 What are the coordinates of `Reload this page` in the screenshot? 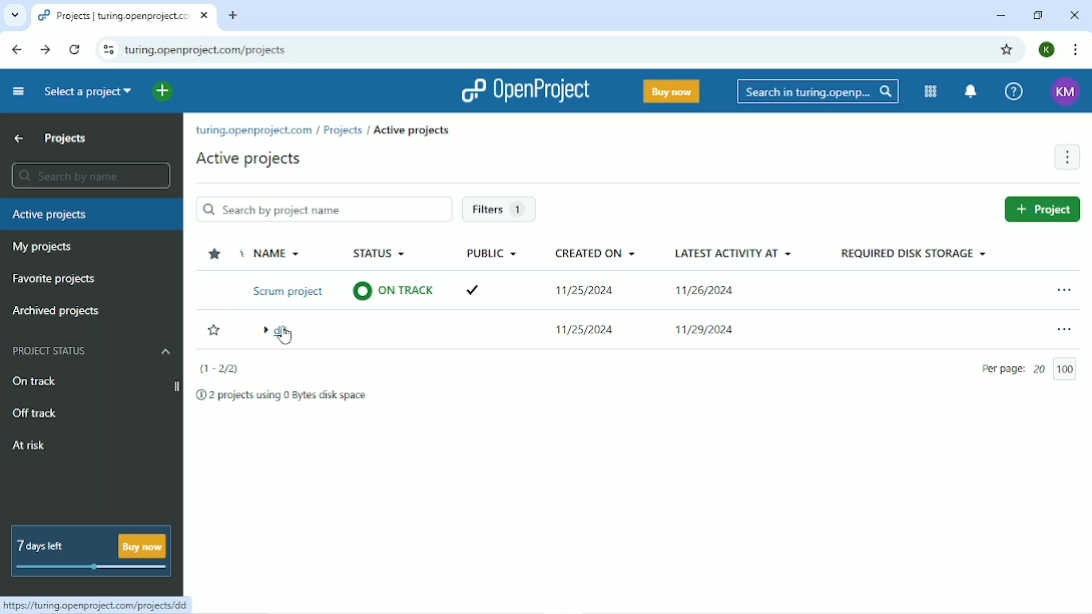 It's located at (76, 49).